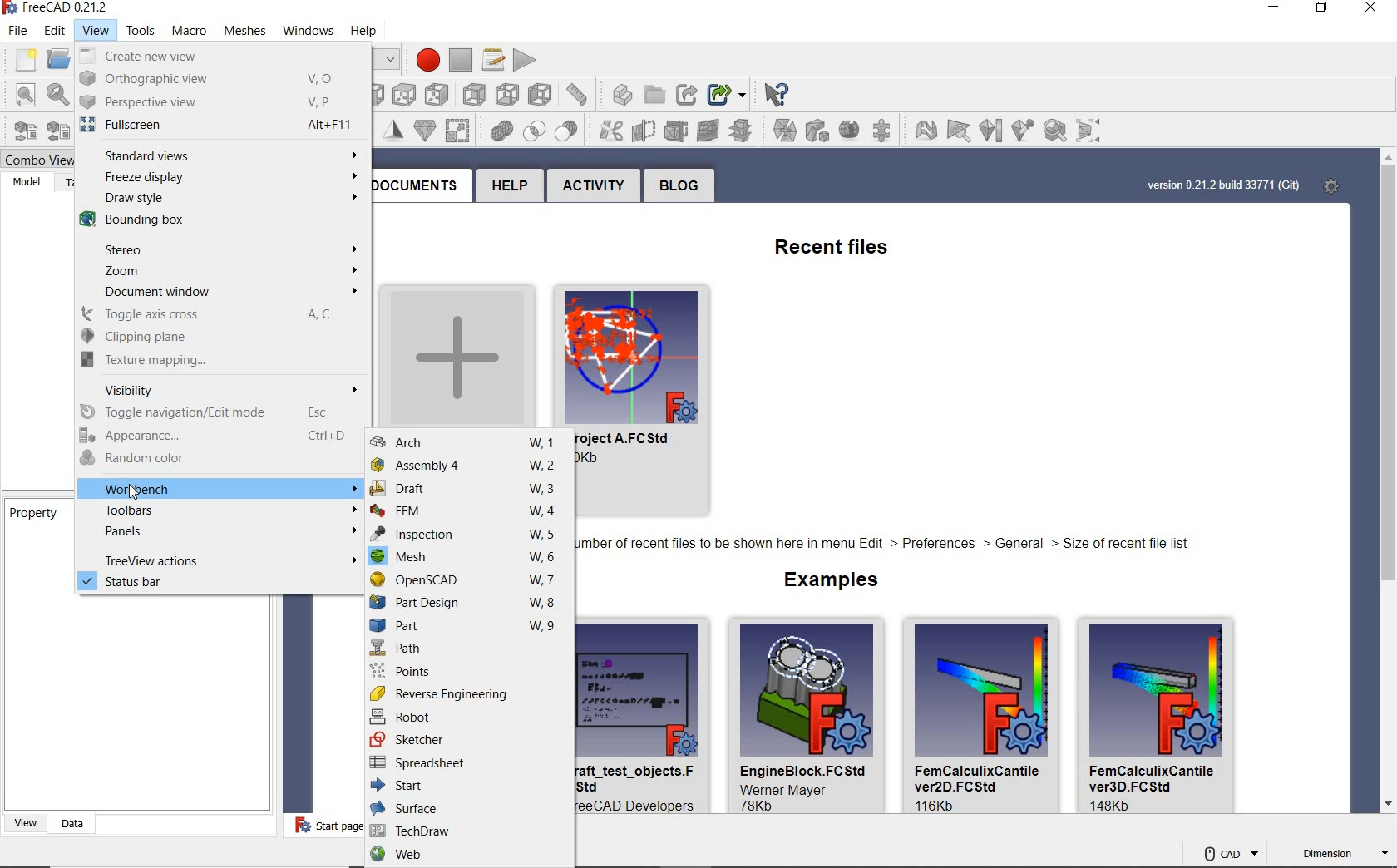 The image size is (1397, 868). Describe the element at coordinates (816, 244) in the screenshot. I see `recent files` at that location.